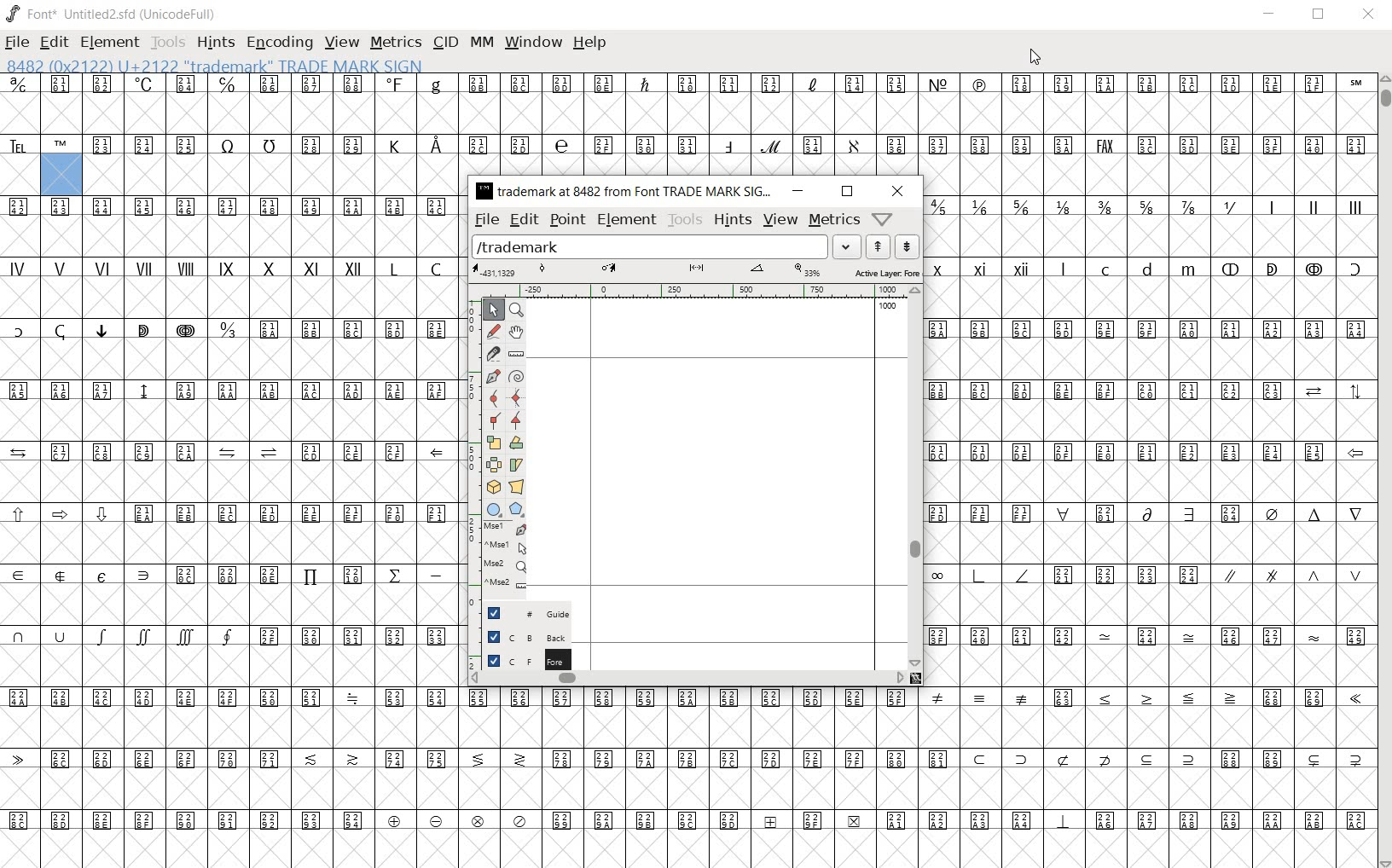 The height and width of the screenshot is (868, 1392). Describe the element at coordinates (492, 375) in the screenshot. I see `add a point, then drag out its control points` at that location.